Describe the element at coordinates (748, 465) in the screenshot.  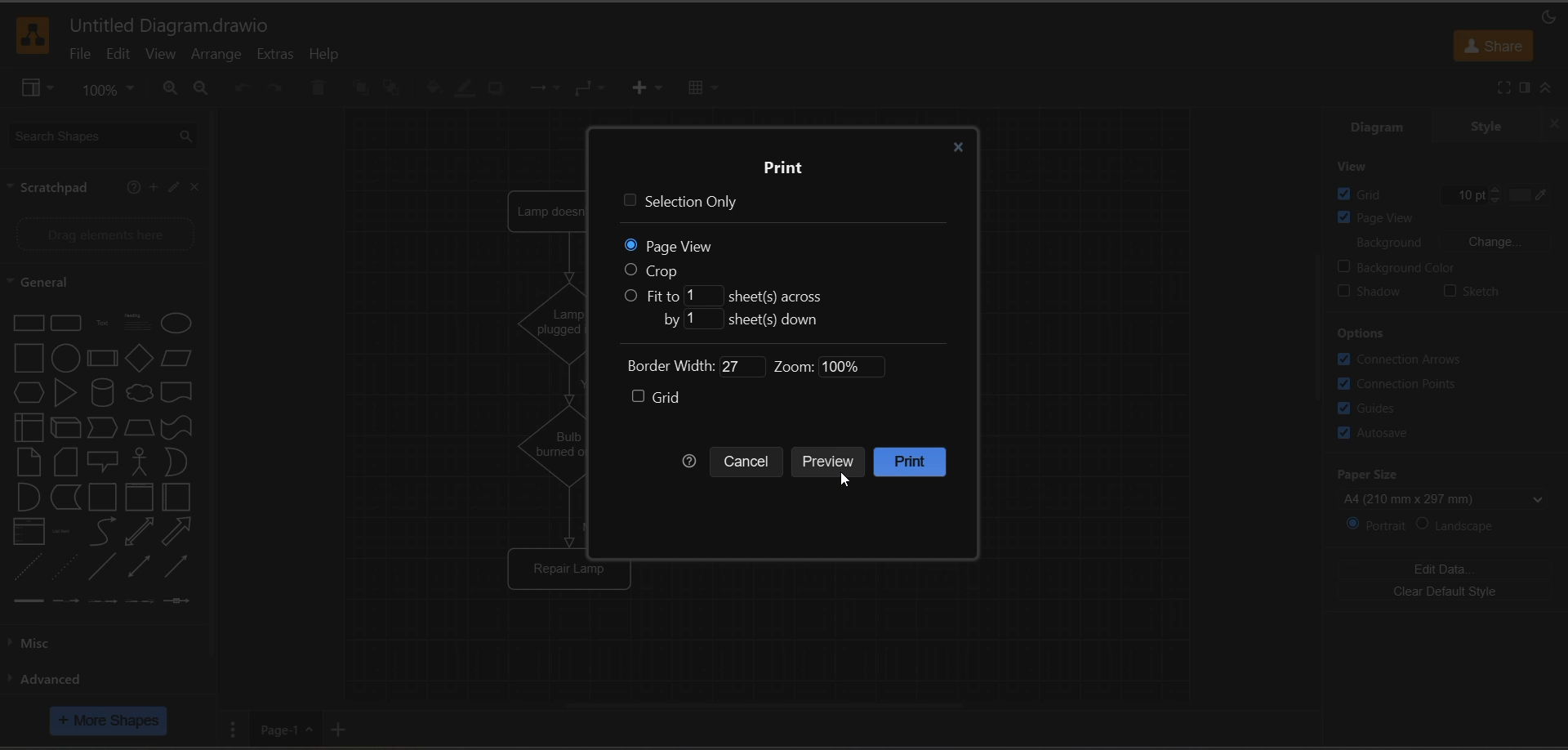
I see `cancel` at that location.